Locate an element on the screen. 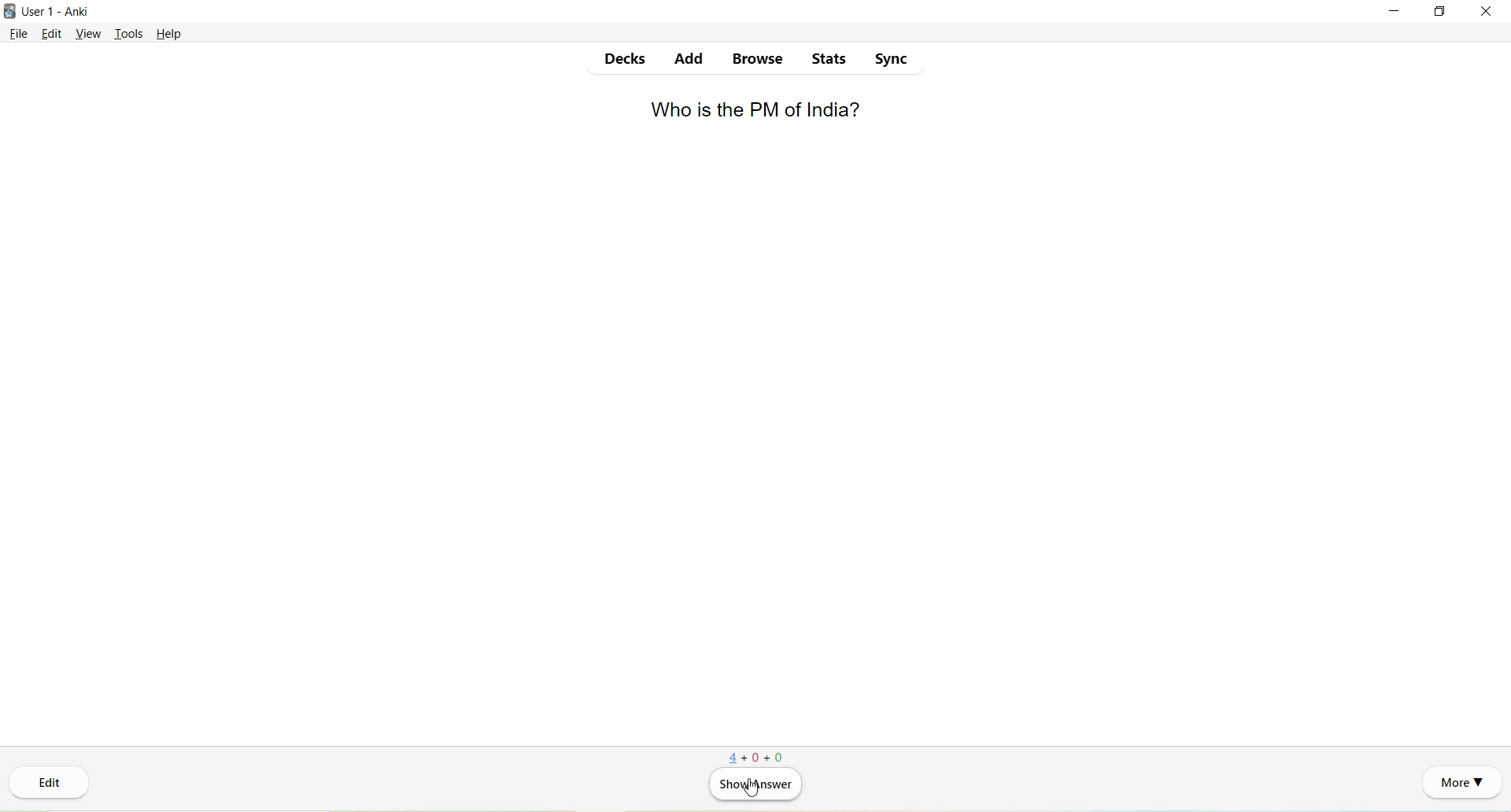  View is located at coordinates (89, 33).